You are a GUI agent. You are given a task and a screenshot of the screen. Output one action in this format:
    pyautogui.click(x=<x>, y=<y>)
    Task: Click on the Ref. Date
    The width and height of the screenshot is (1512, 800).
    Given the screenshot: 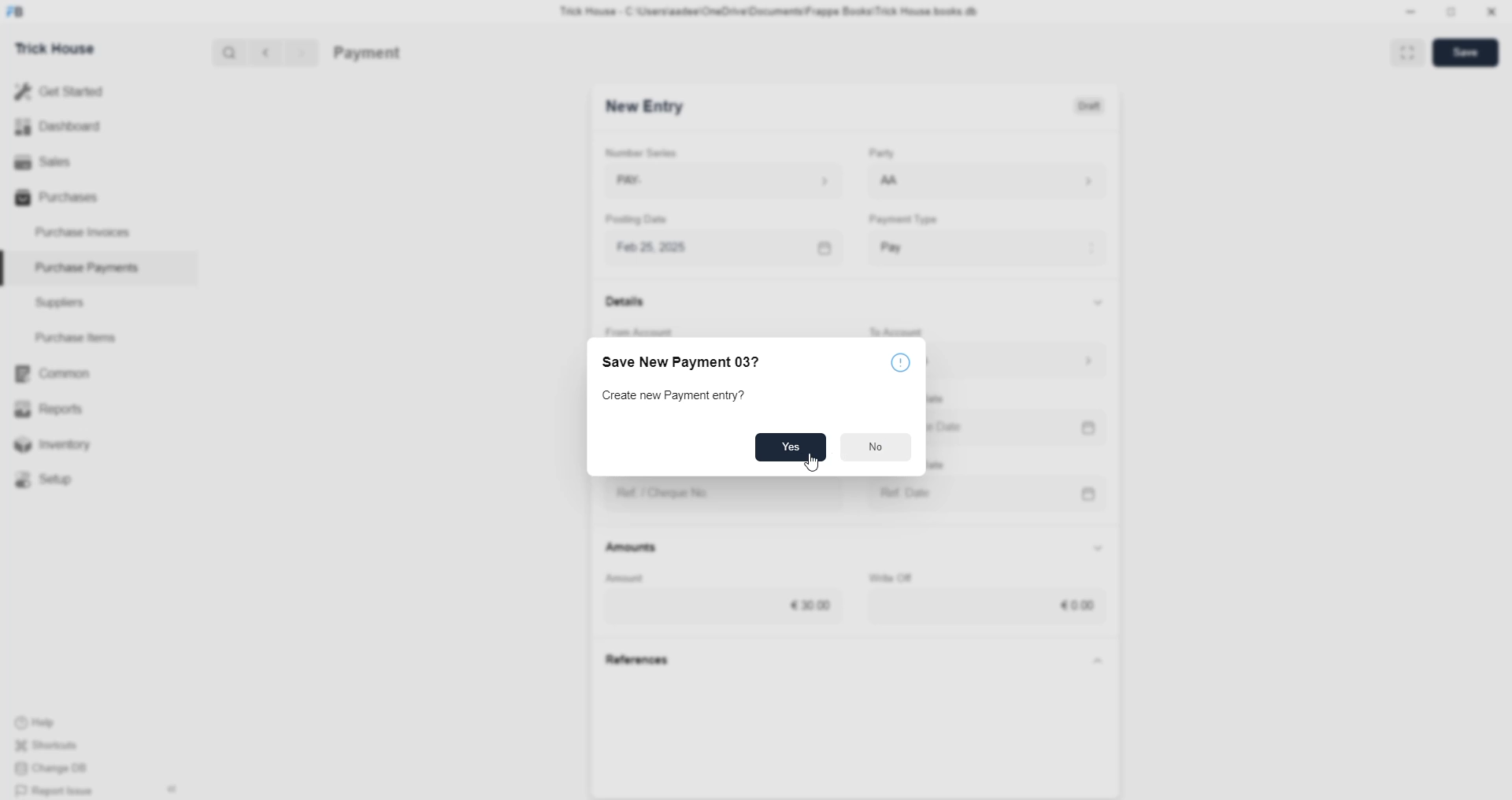 What is the action you would take?
    pyautogui.click(x=913, y=490)
    